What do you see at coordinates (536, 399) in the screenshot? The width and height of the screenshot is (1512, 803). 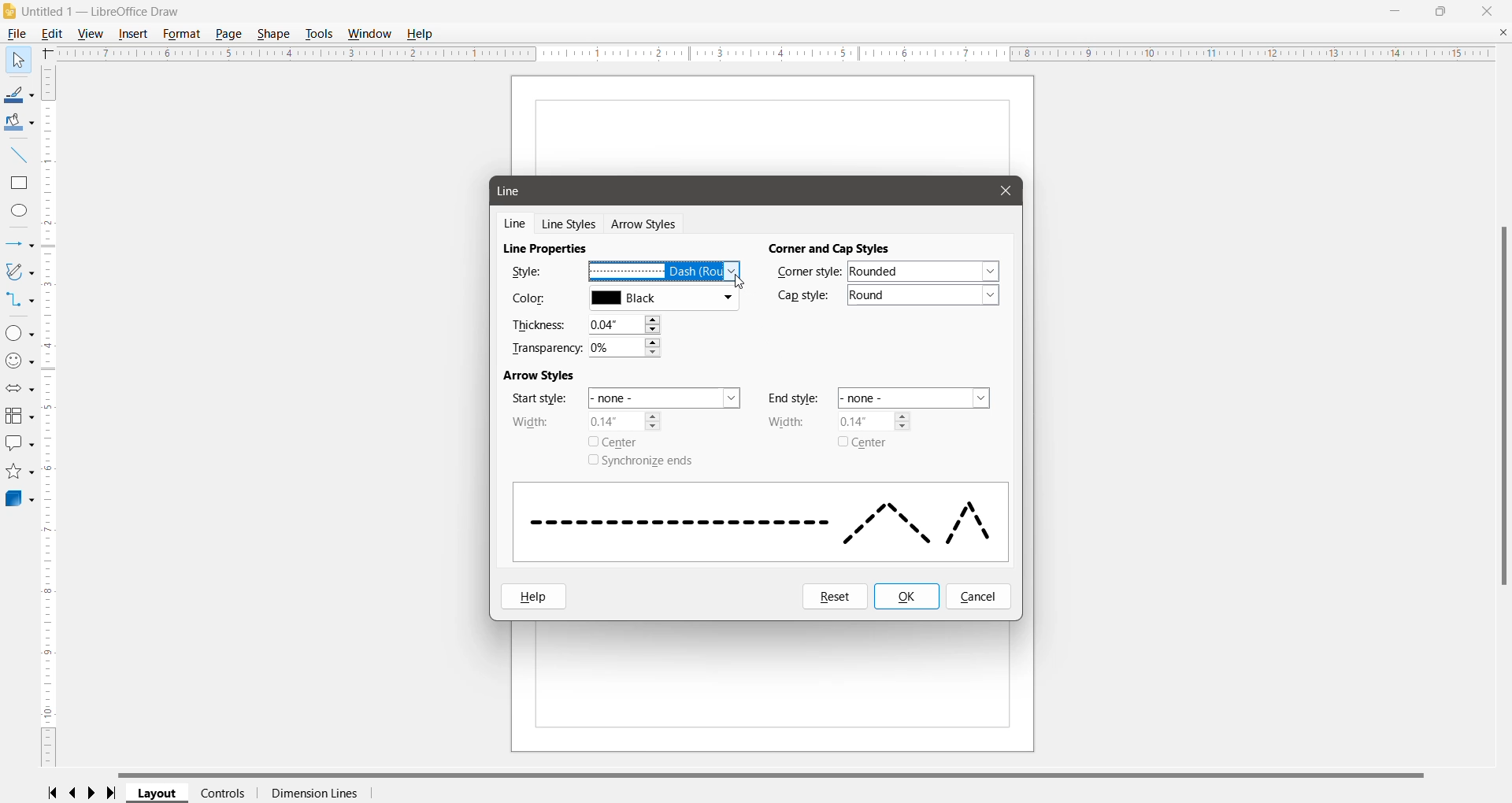 I see `Star style` at bounding box center [536, 399].